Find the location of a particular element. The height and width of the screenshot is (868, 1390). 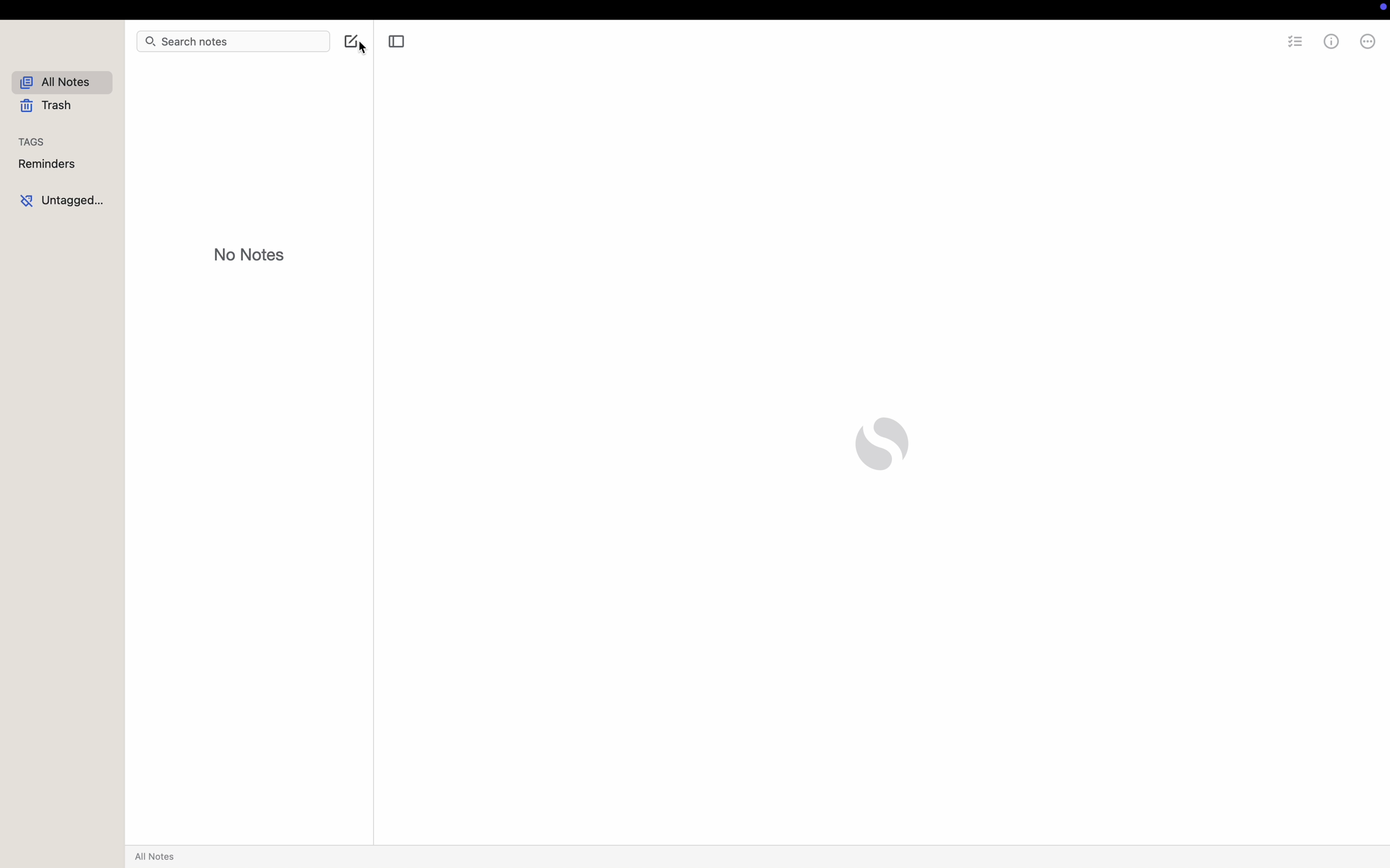

metrics is located at coordinates (1332, 43).